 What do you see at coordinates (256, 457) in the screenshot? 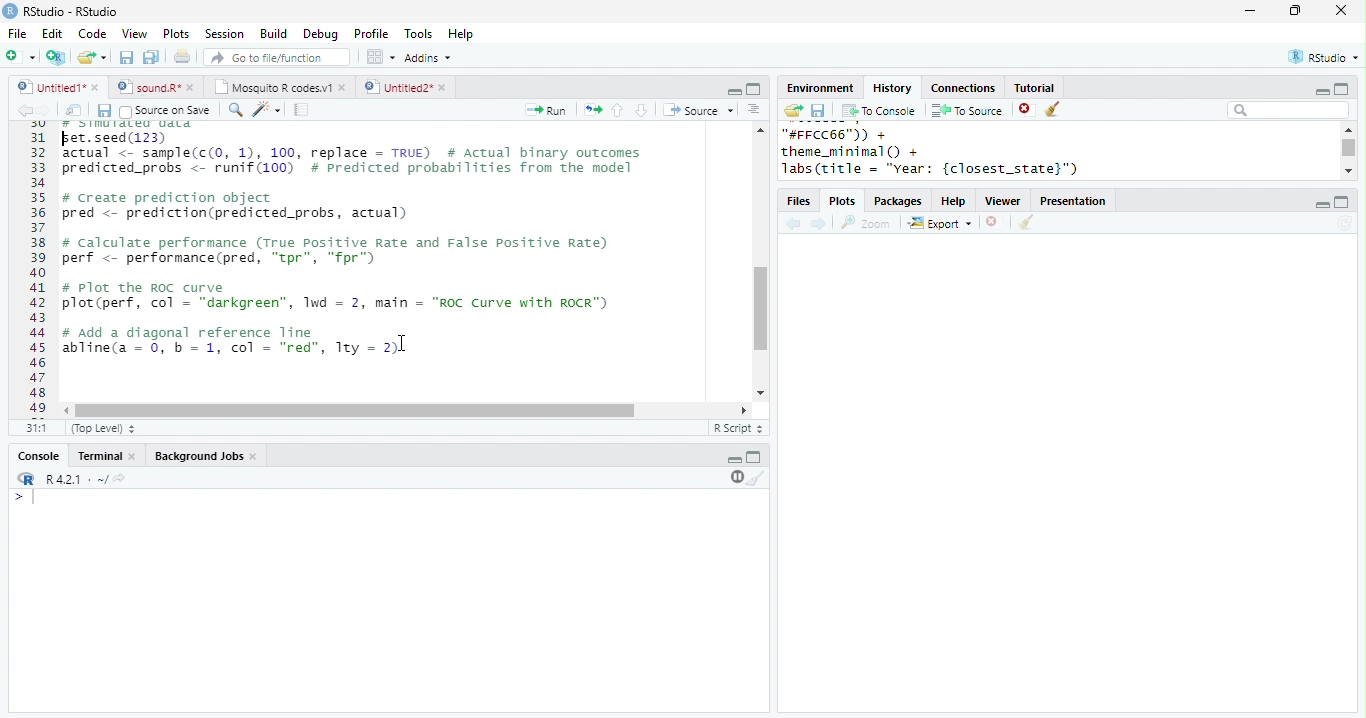
I see `close` at bounding box center [256, 457].